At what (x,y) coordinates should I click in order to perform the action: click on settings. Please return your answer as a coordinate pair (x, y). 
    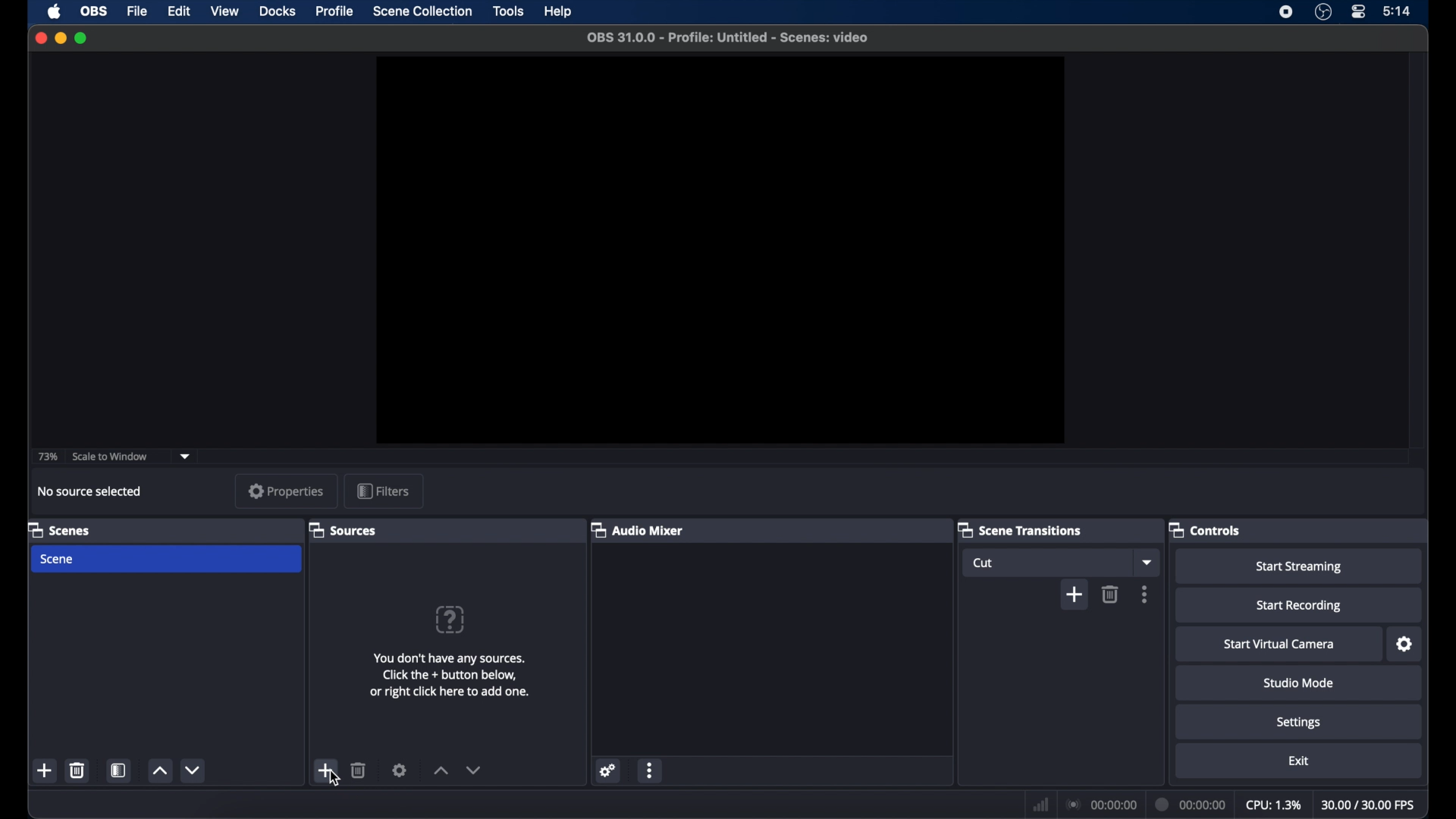
    Looking at the image, I should click on (1405, 645).